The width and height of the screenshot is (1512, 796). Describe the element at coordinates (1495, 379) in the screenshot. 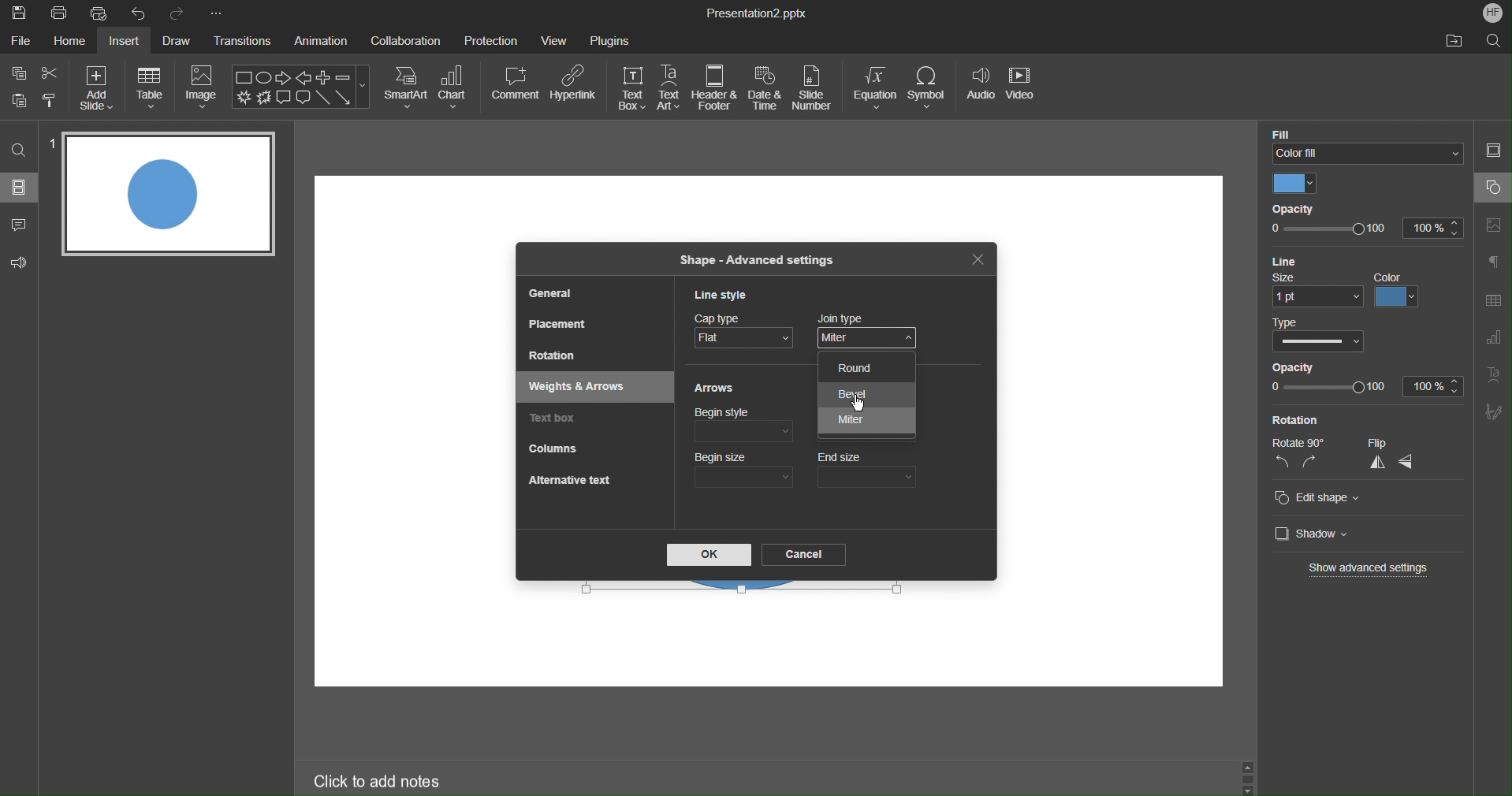

I see `Text Art` at that location.